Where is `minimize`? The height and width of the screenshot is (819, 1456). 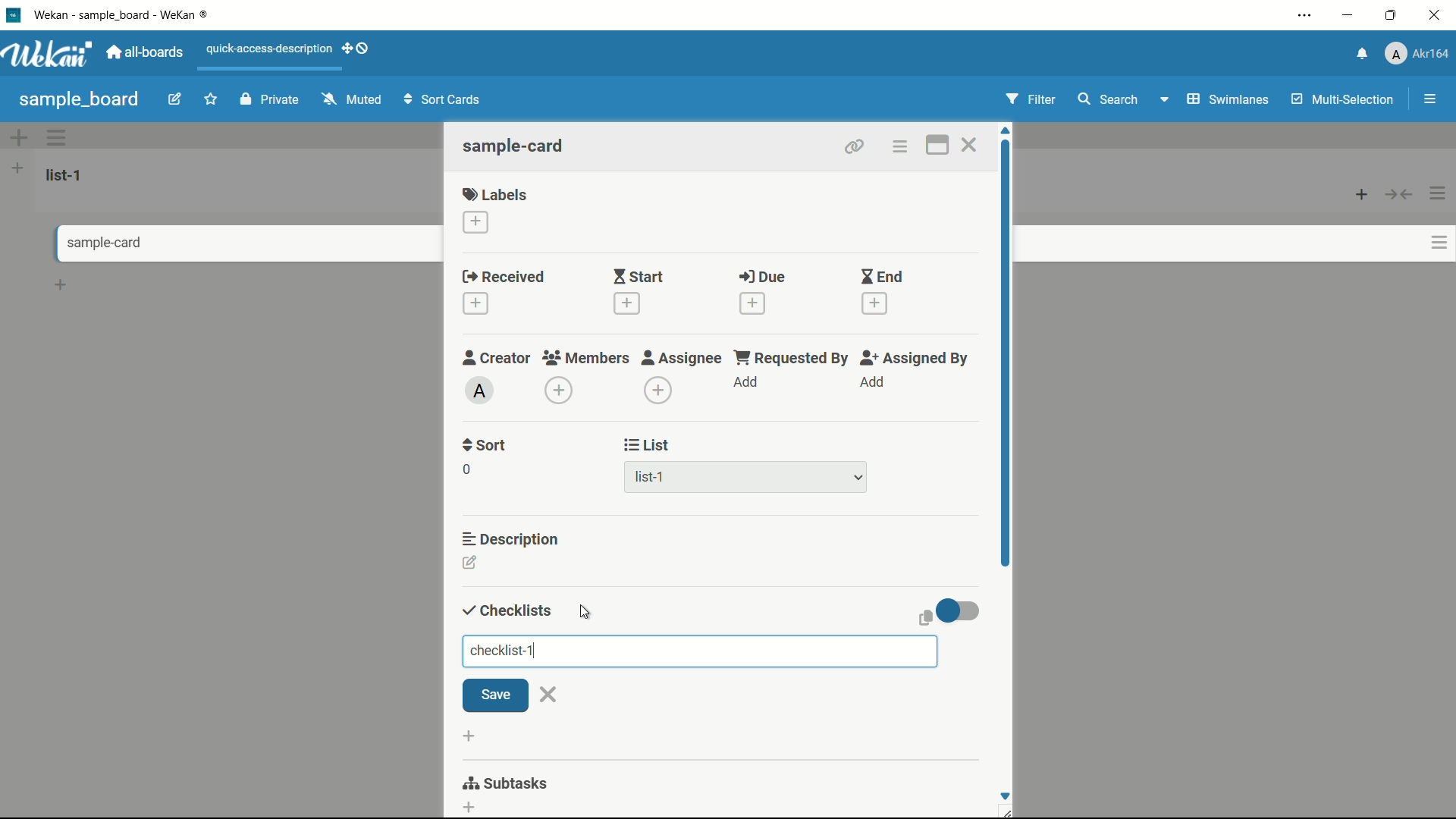 minimize is located at coordinates (1346, 16).